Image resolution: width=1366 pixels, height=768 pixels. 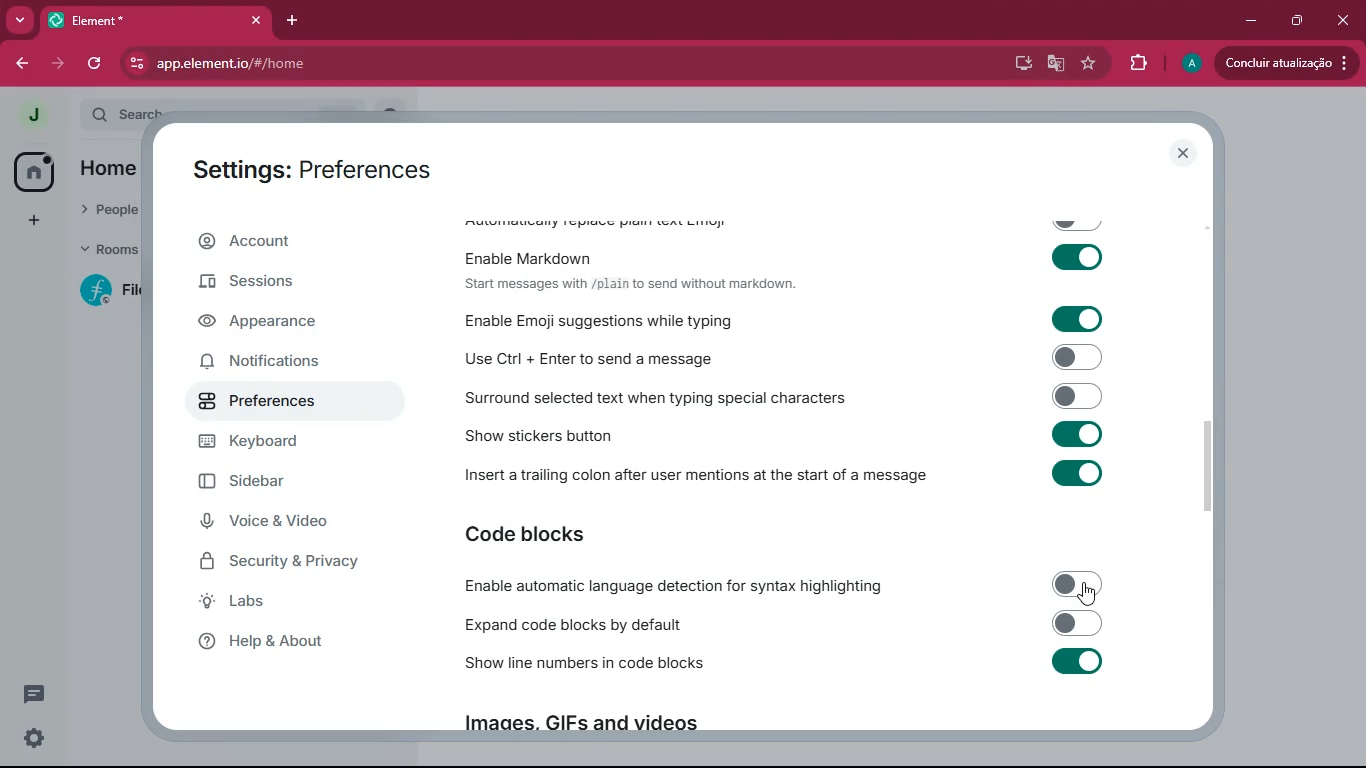 I want to click on settings, so click(x=29, y=740).